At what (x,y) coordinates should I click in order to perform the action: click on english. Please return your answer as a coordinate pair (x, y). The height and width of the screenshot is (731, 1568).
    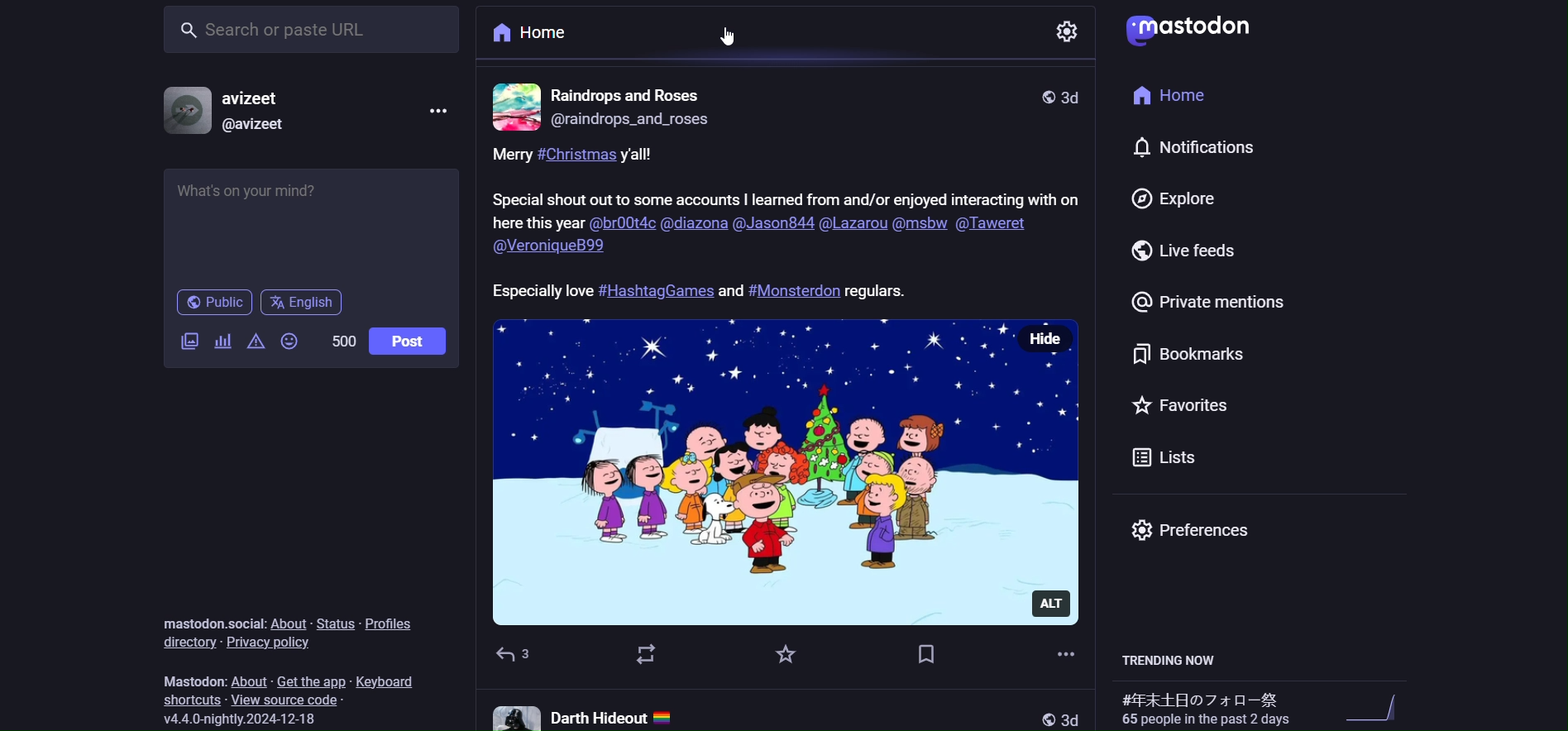
    Looking at the image, I should click on (307, 303).